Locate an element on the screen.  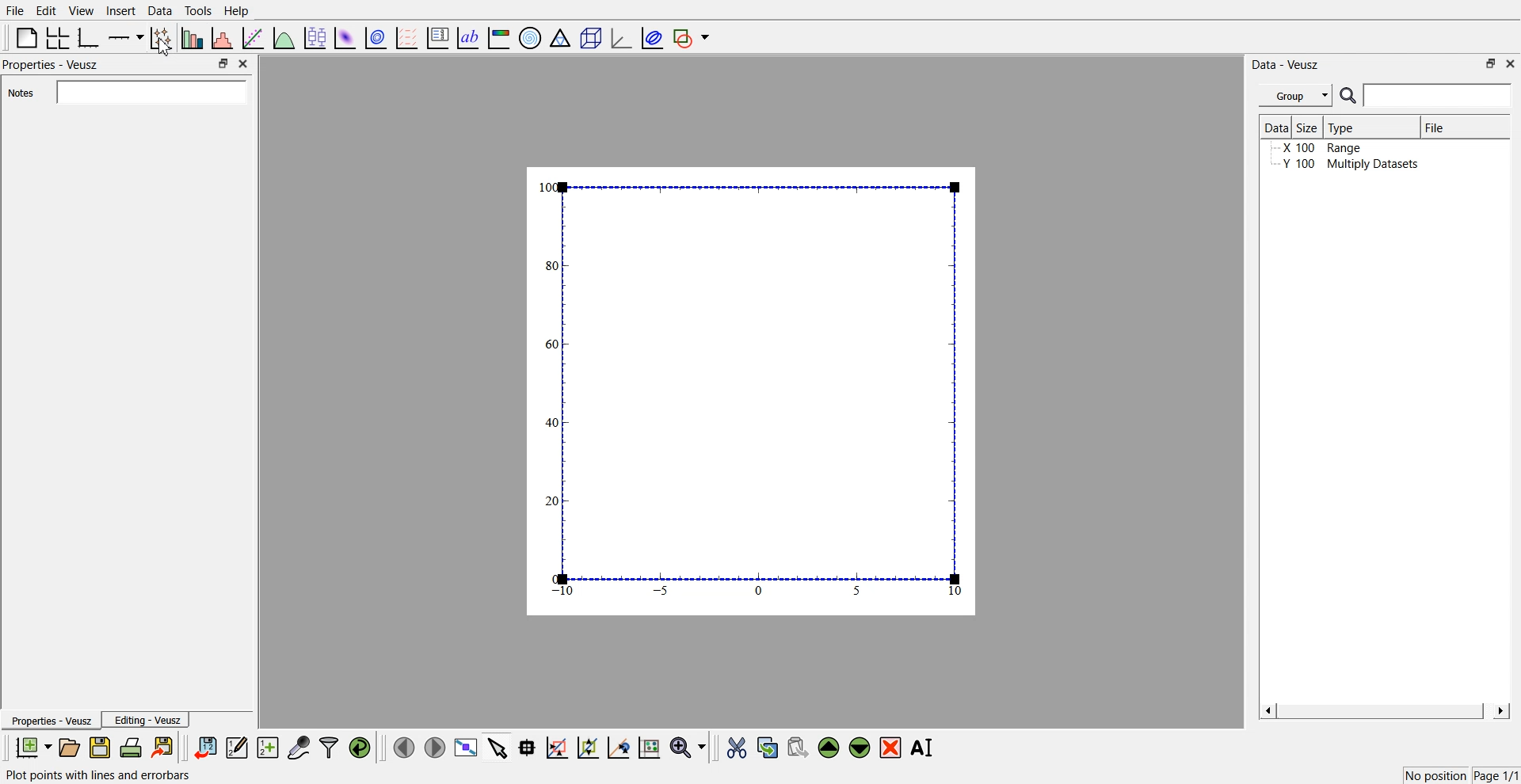
fit a function is located at coordinates (254, 36).